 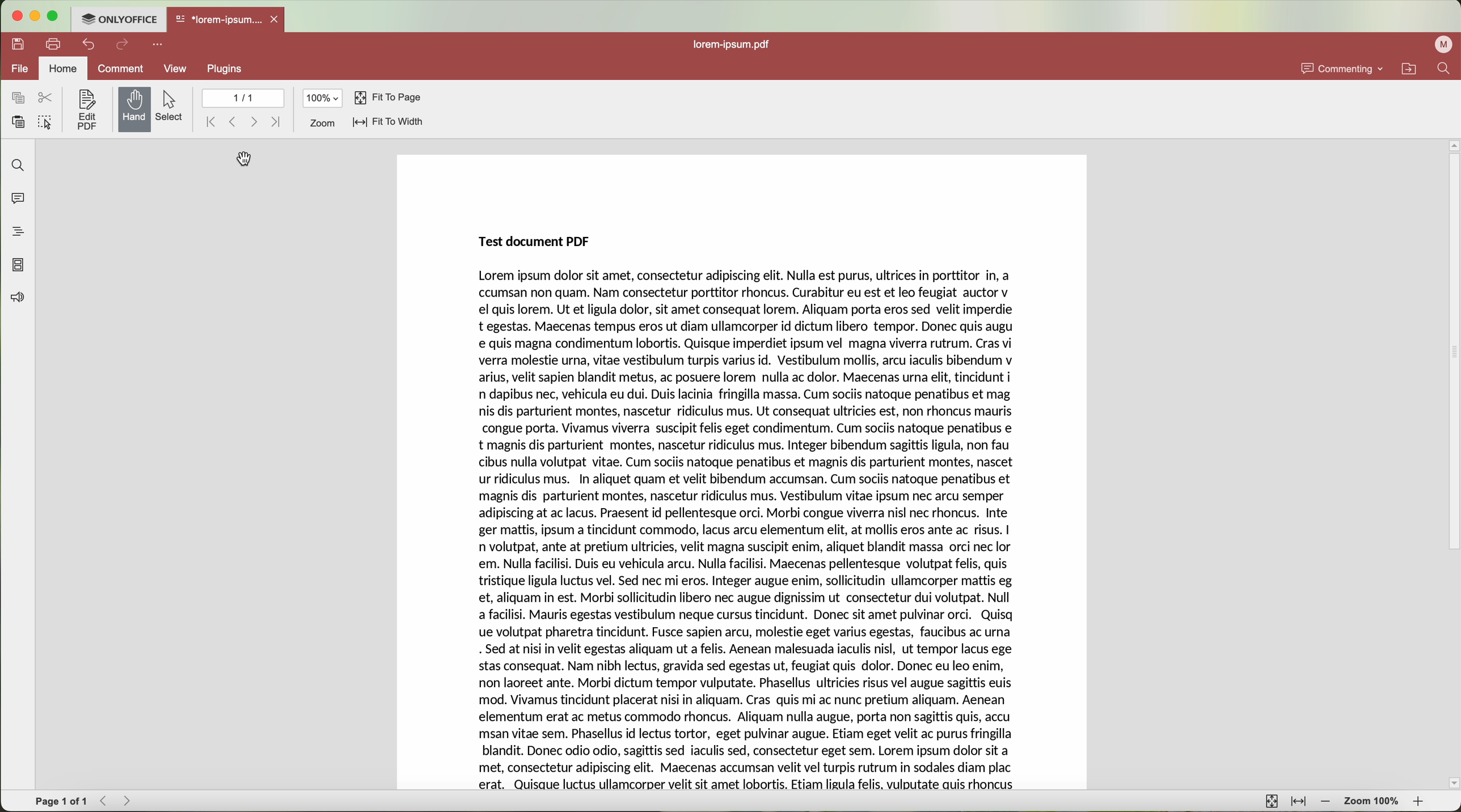 What do you see at coordinates (18, 263) in the screenshot?
I see `click on page thumbnails` at bounding box center [18, 263].